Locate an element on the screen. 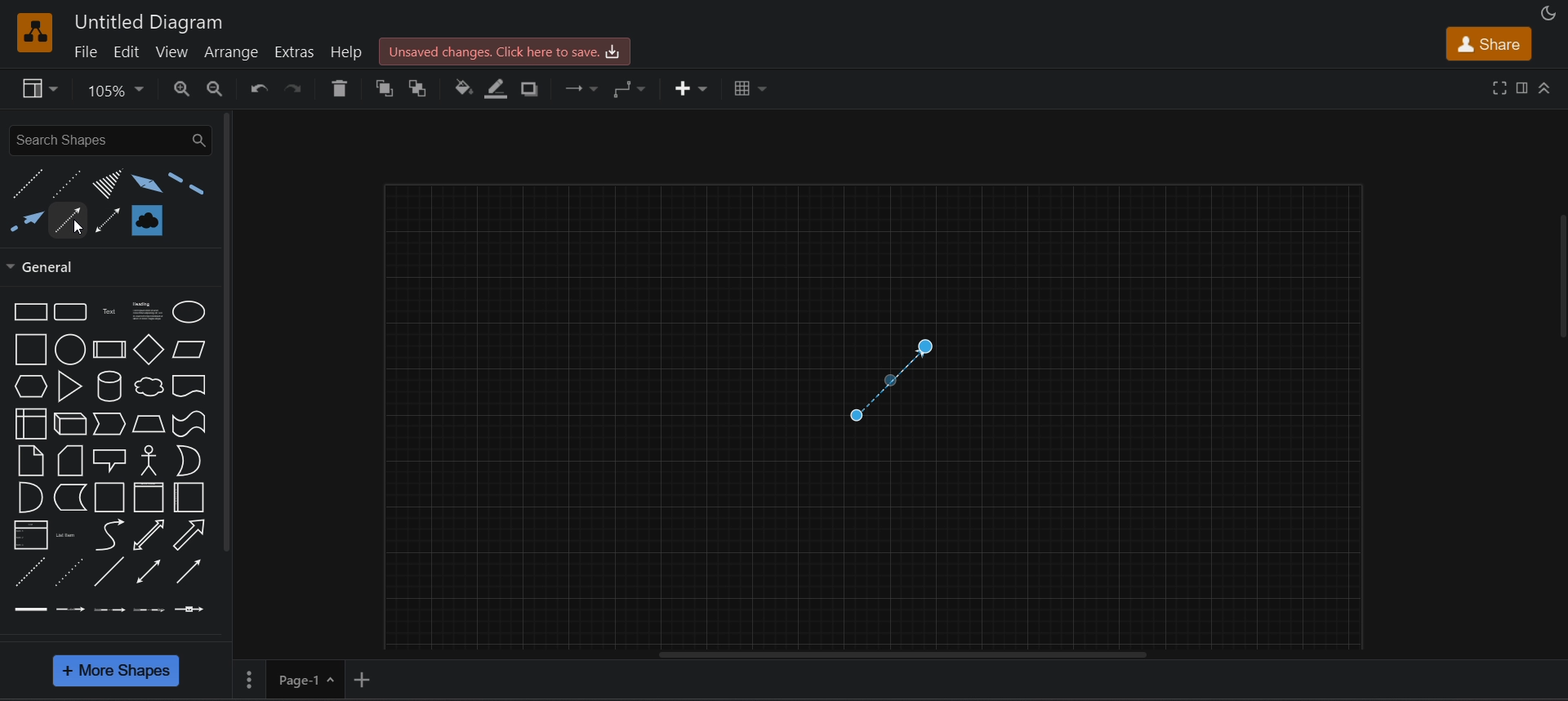 The width and height of the screenshot is (1568, 701). help is located at coordinates (349, 51).